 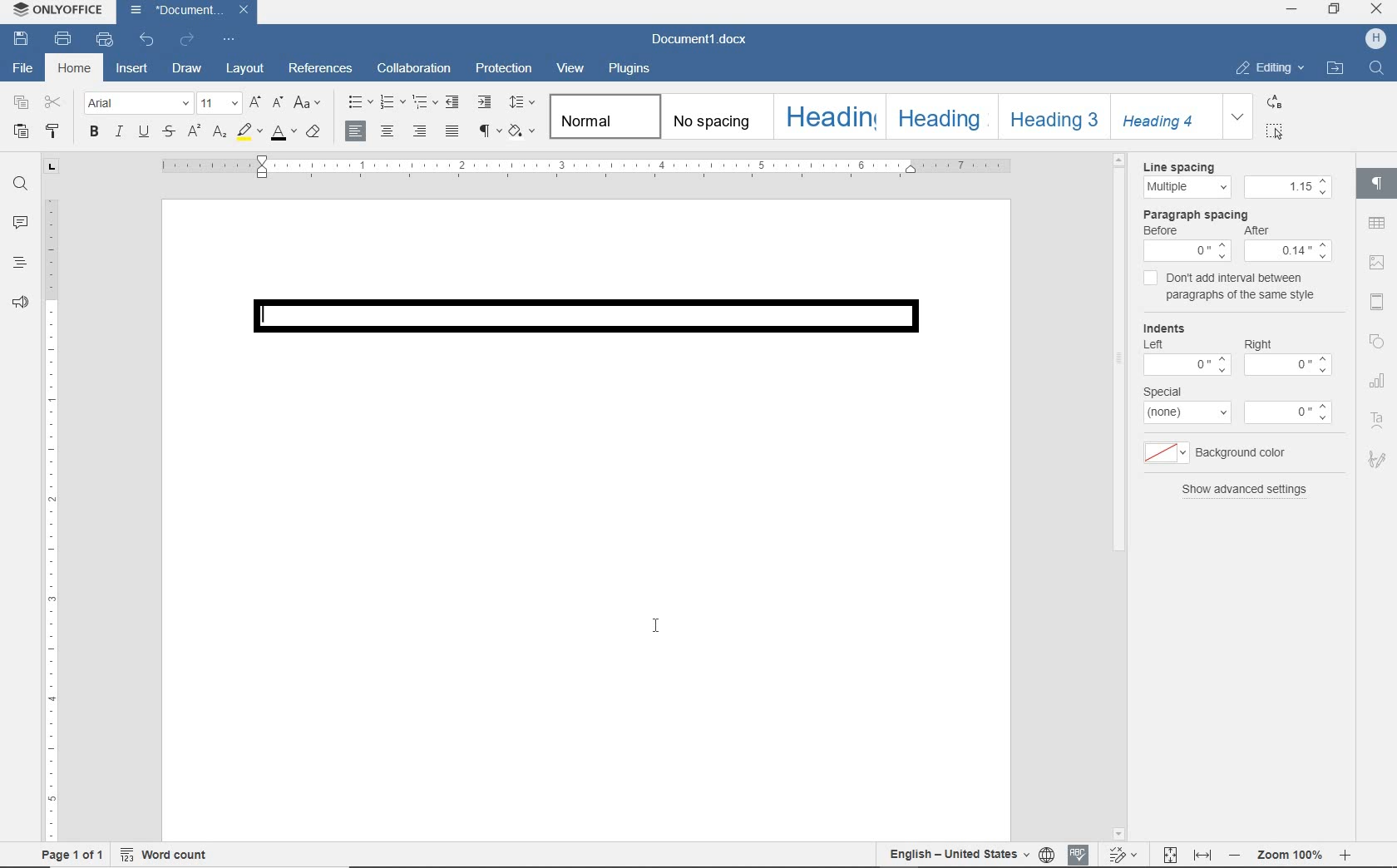 I want to click on select document language, so click(x=1046, y=854).